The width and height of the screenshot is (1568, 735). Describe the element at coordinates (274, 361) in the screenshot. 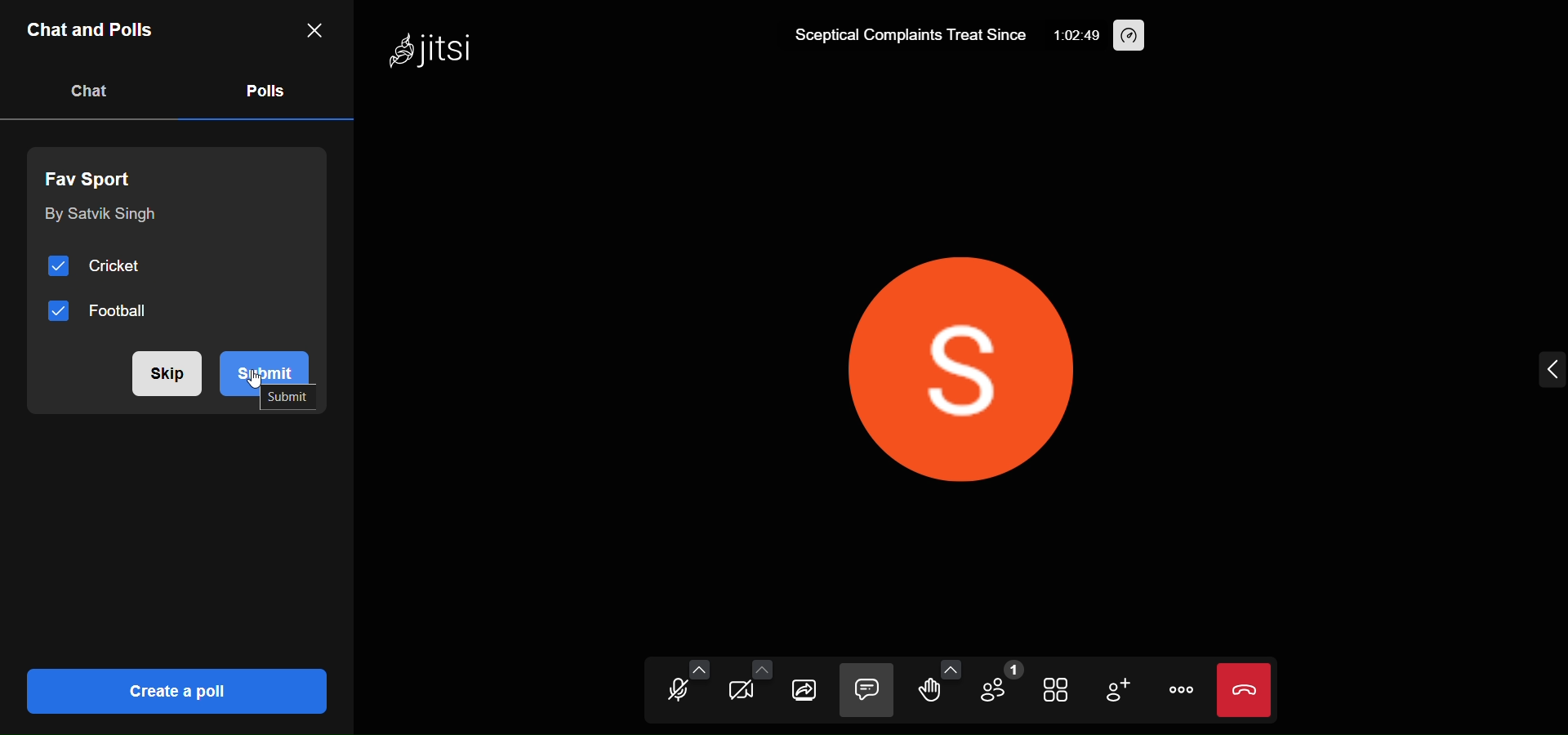

I see `submit` at that location.